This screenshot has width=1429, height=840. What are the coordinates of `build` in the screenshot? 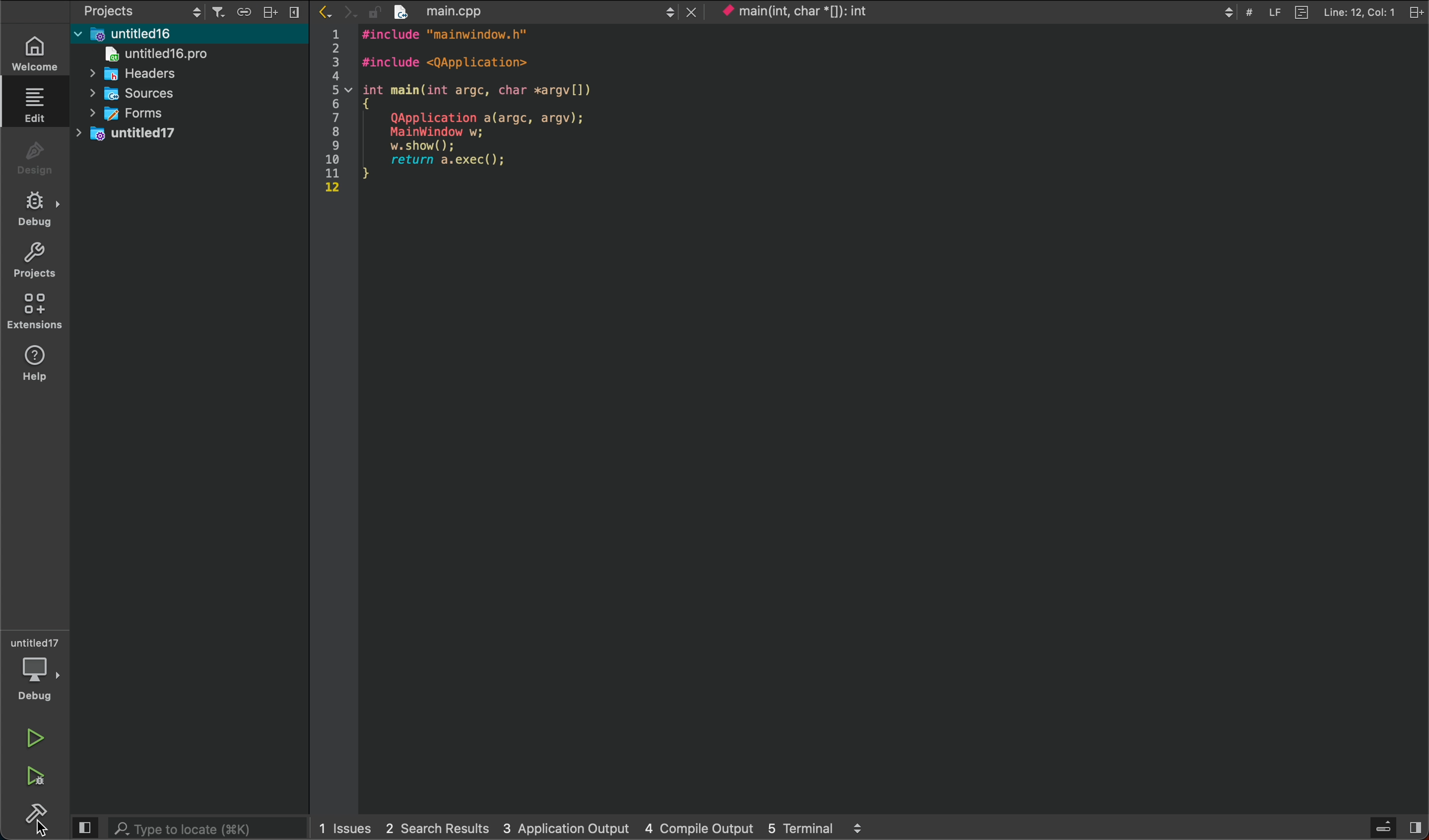 It's located at (31, 820).